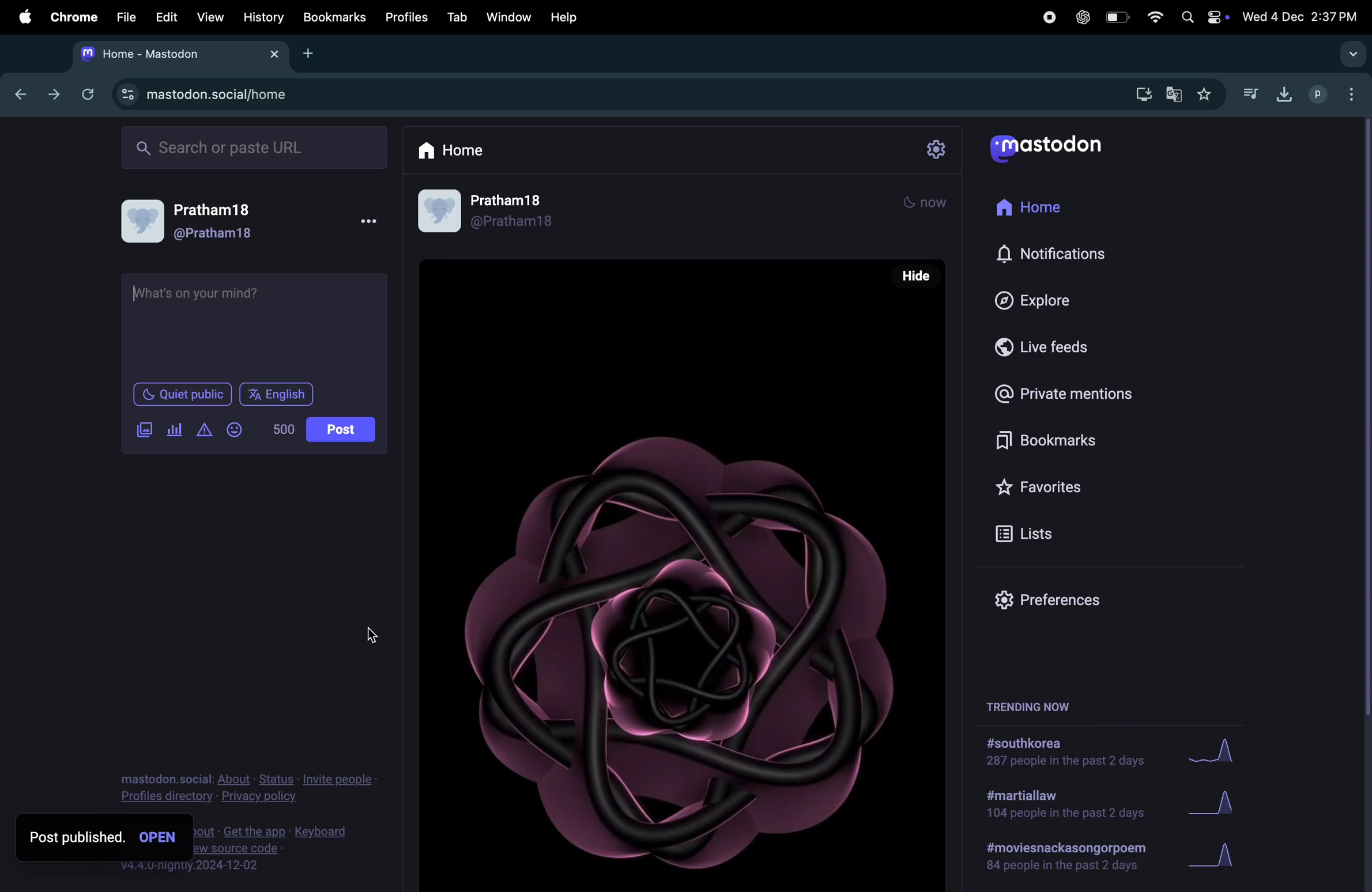 This screenshot has height=892, width=1372. I want to click on favourites, so click(1043, 483).